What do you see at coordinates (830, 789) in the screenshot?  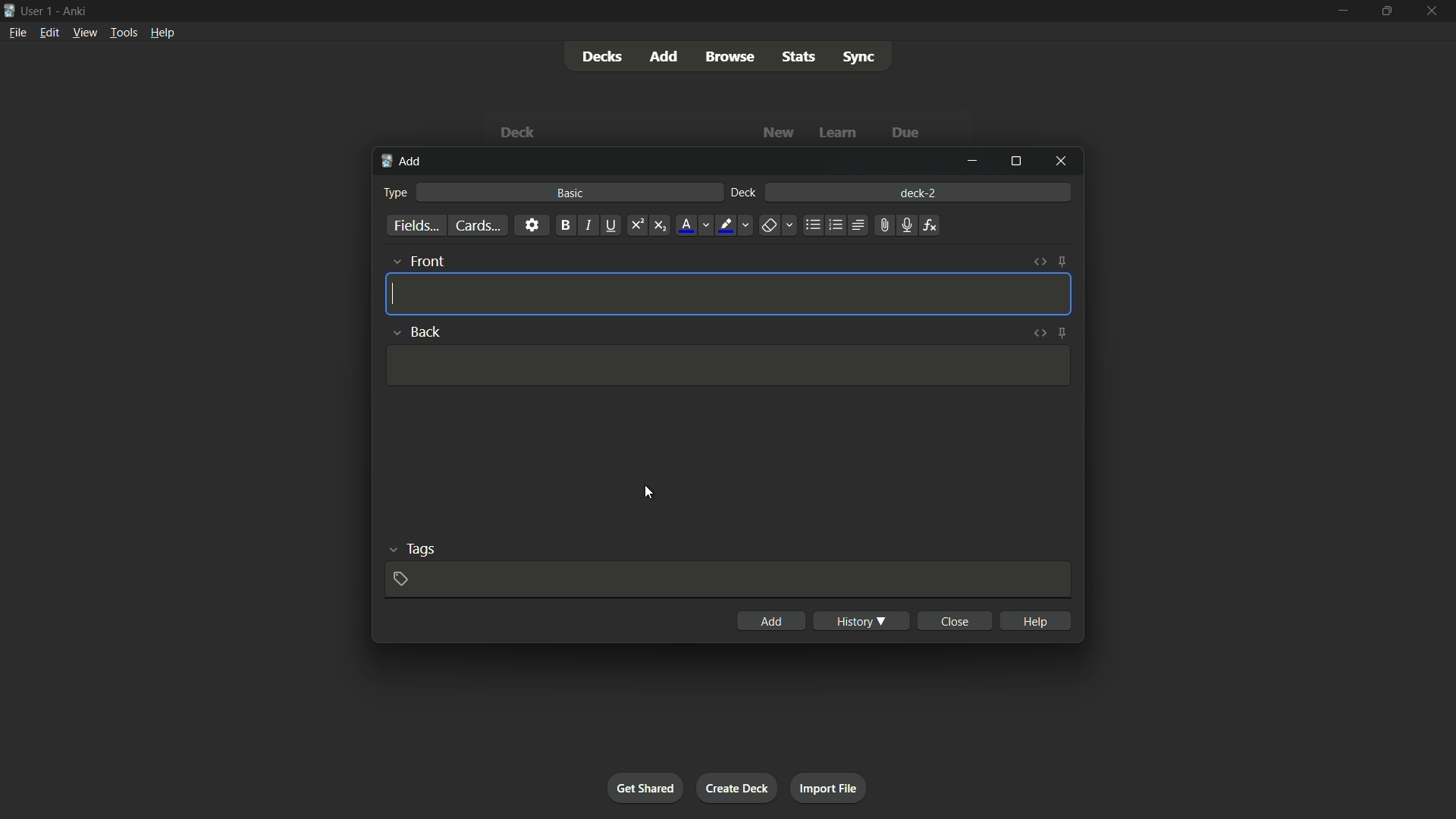 I see `import file` at bounding box center [830, 789].